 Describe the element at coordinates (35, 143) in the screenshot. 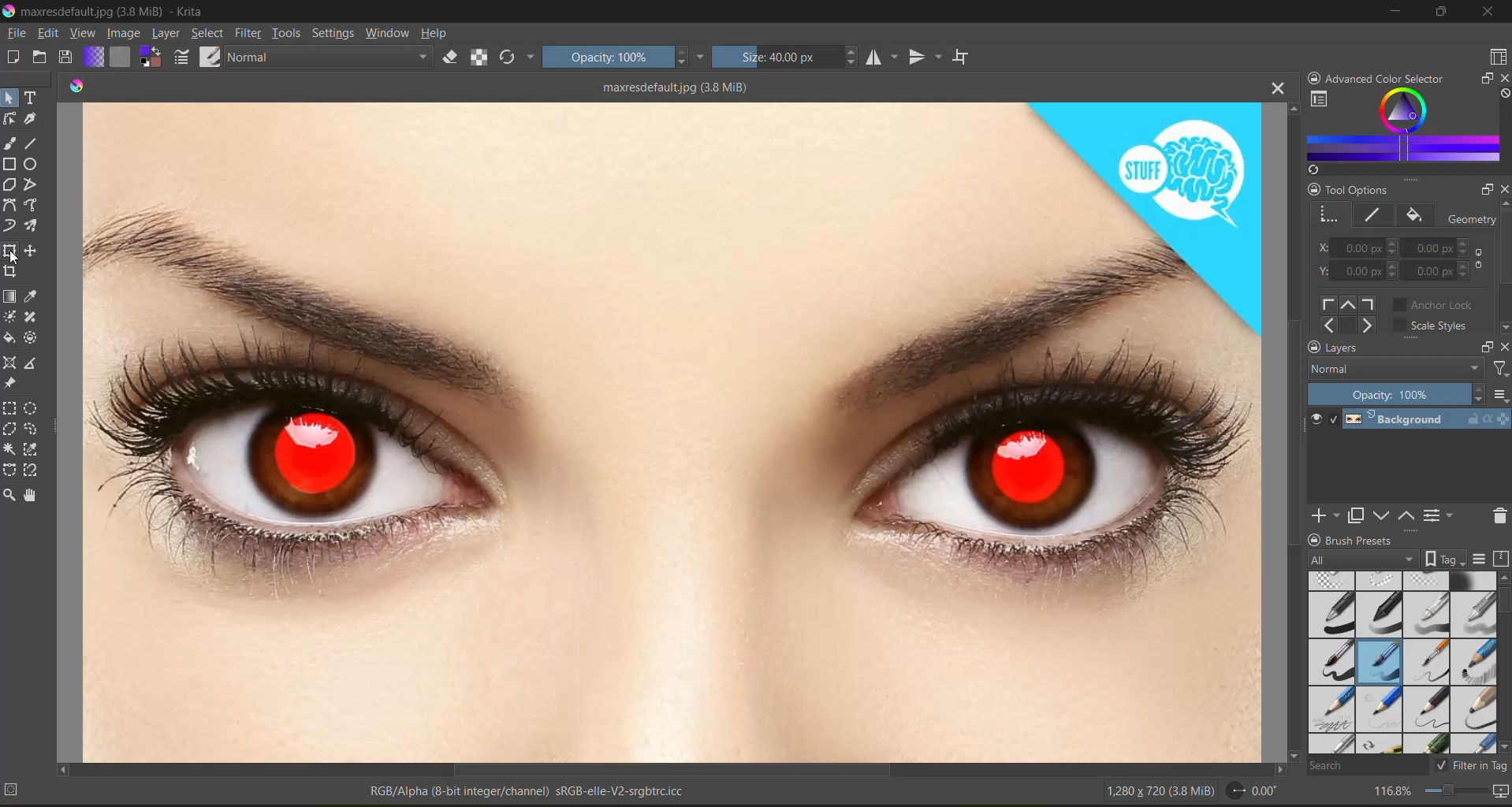

I see `tool` at that location.